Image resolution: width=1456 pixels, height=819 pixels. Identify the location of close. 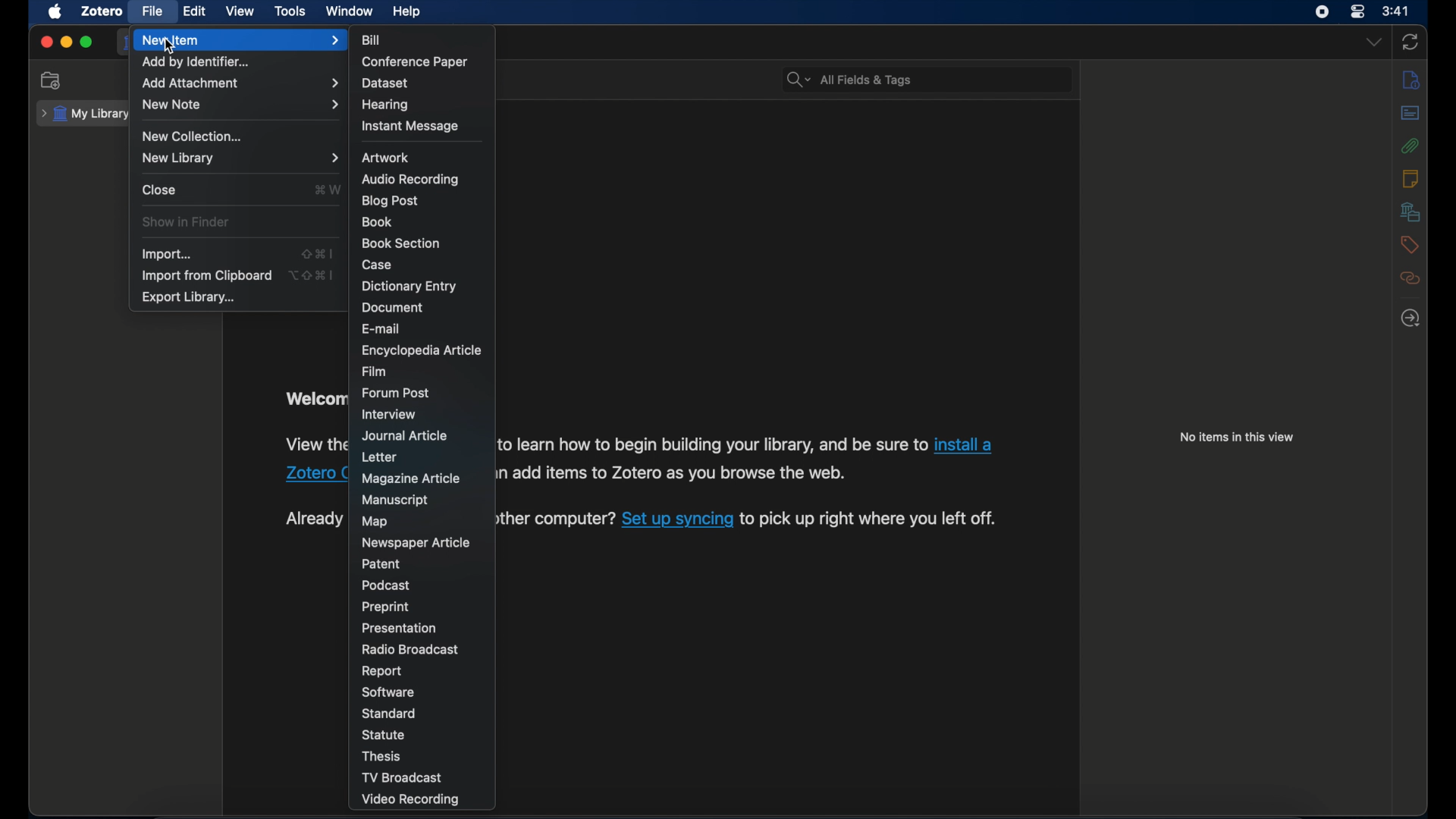
(161, 190).